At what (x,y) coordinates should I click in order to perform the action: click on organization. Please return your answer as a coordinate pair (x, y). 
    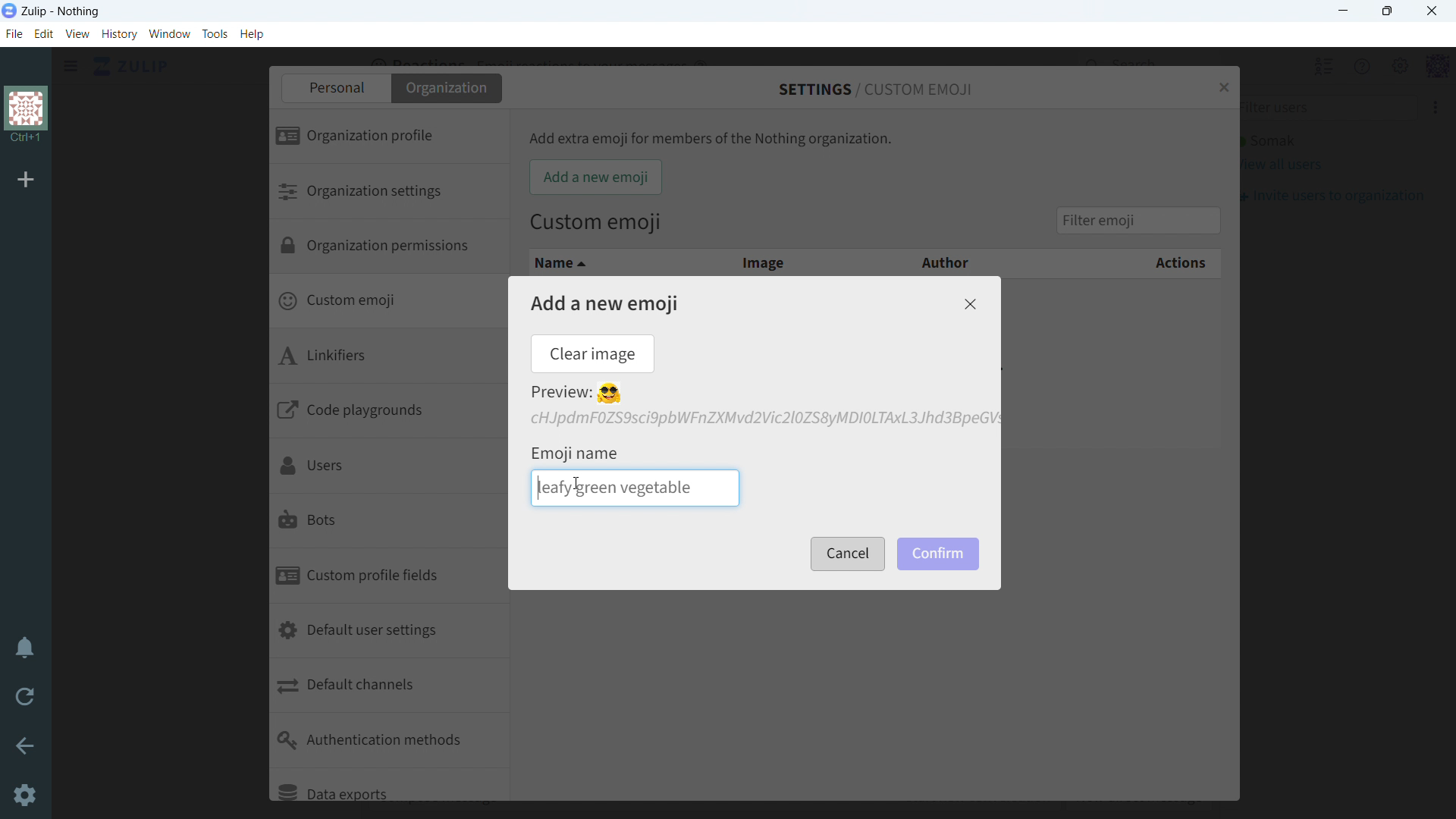
    Looking at the image, I should click on (448, 88).